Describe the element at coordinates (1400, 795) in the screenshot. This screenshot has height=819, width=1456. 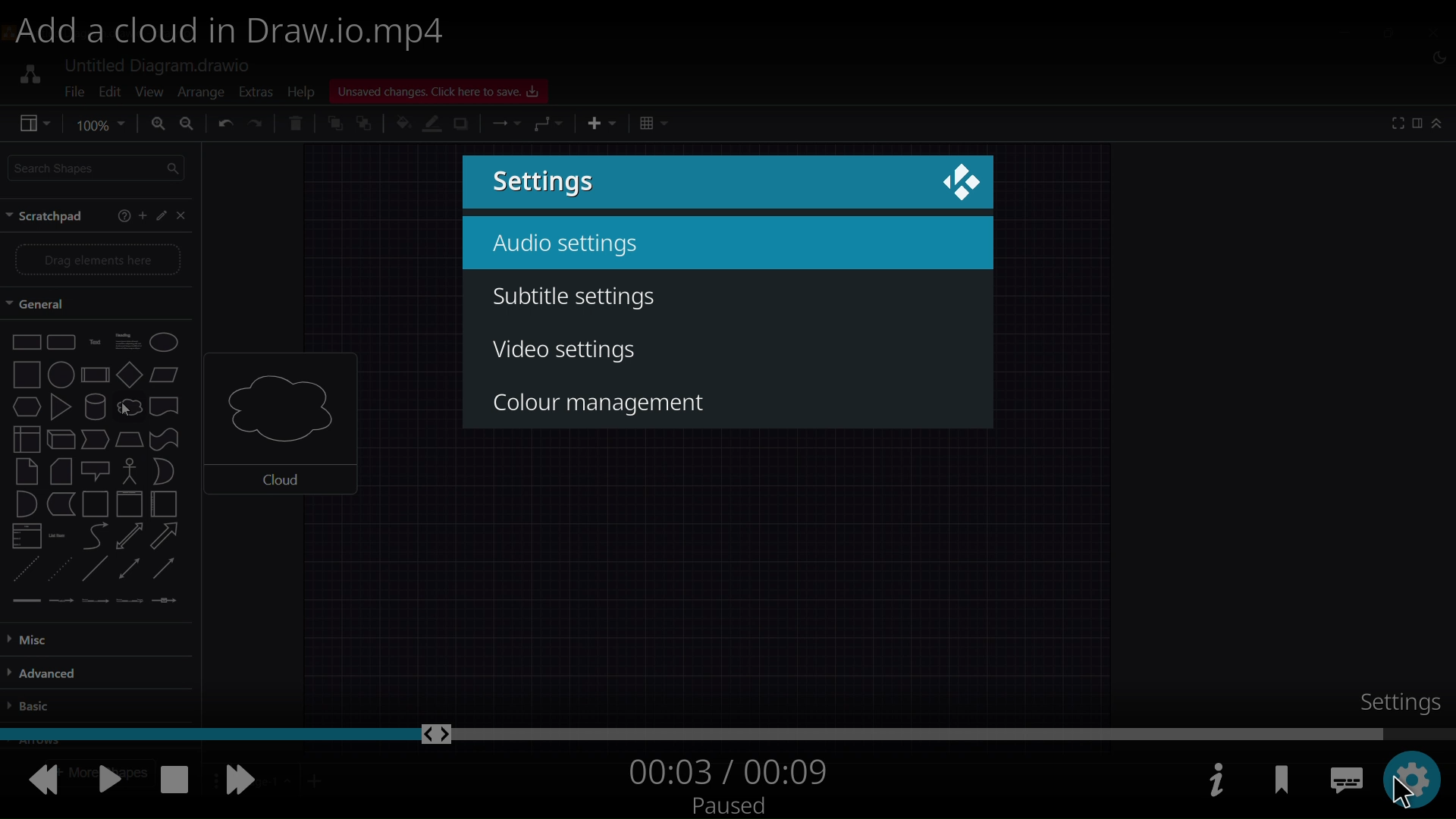
I see `cursor` at that location.